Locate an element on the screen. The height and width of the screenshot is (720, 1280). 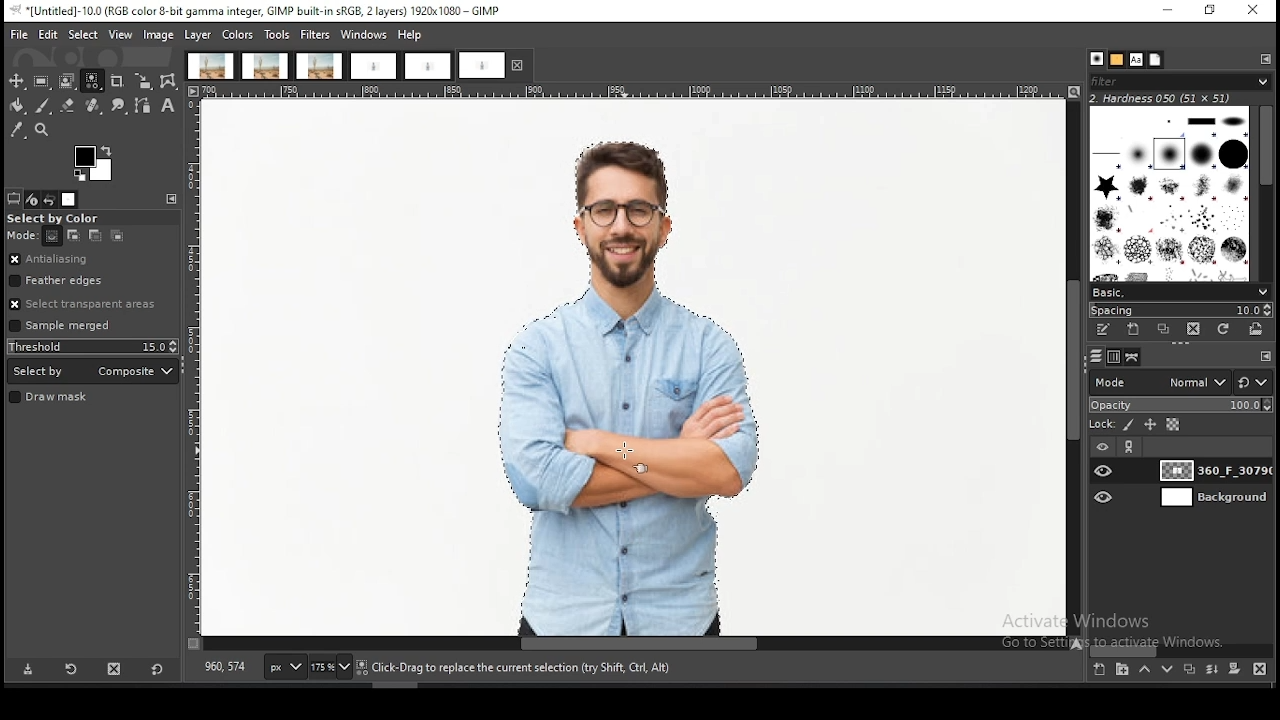
scale is located at coordinates (194, 368).